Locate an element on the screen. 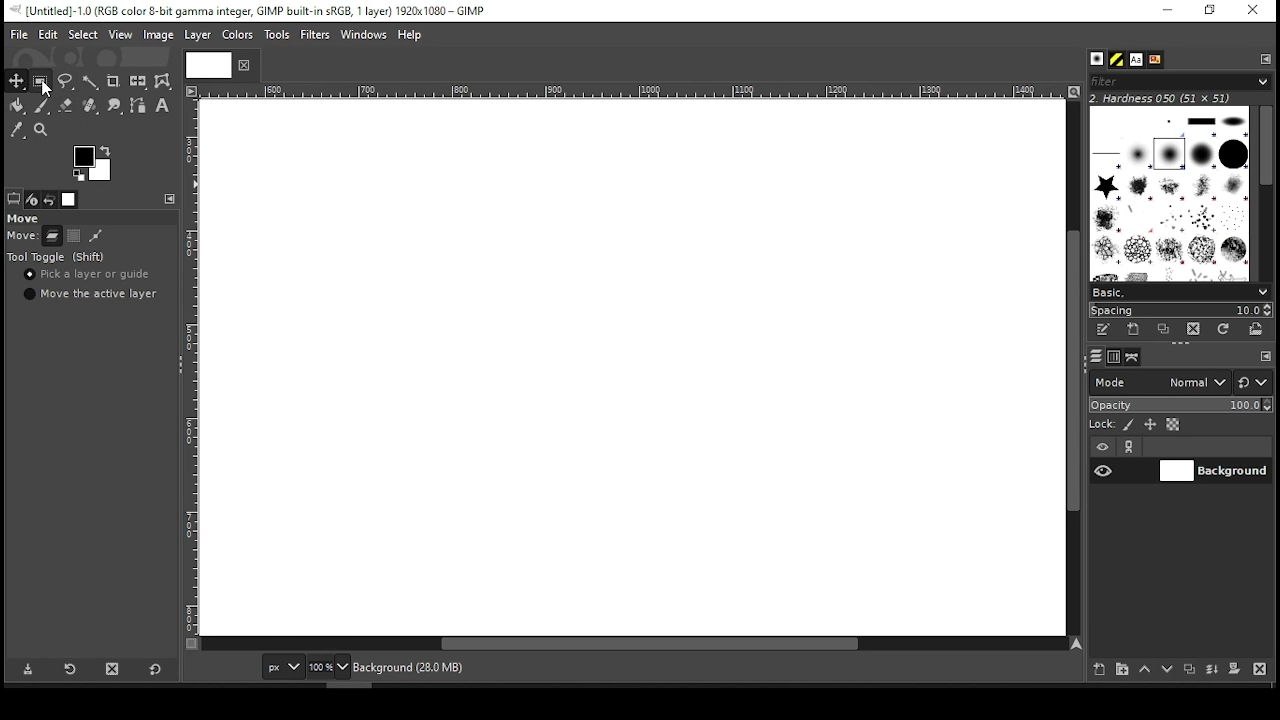 Image resolution: width=1280 pixels, height=720 pixels. tool toggle is located at coordinates (54, 257).